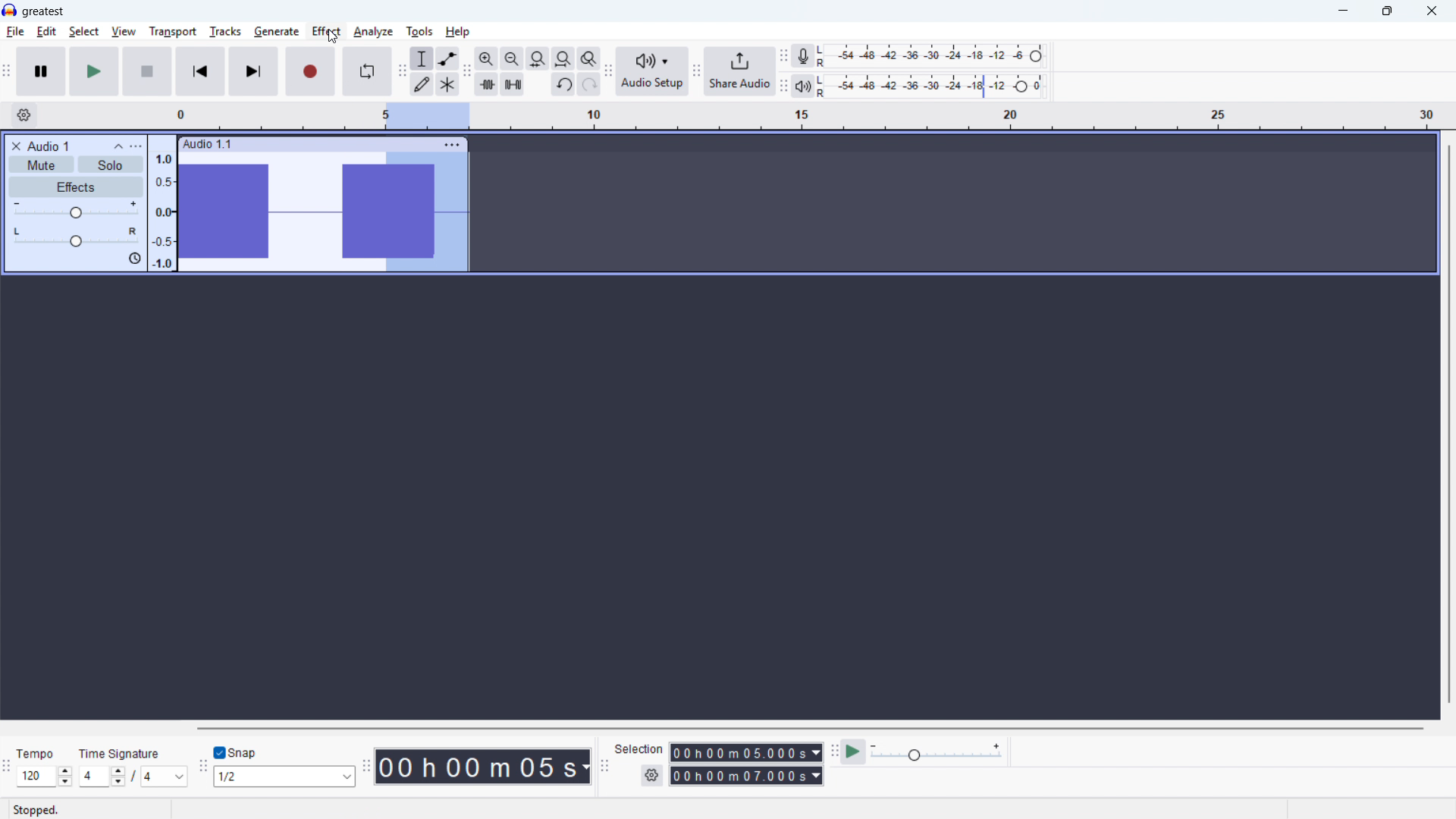  I want to click on analyse, so click(372, 33).